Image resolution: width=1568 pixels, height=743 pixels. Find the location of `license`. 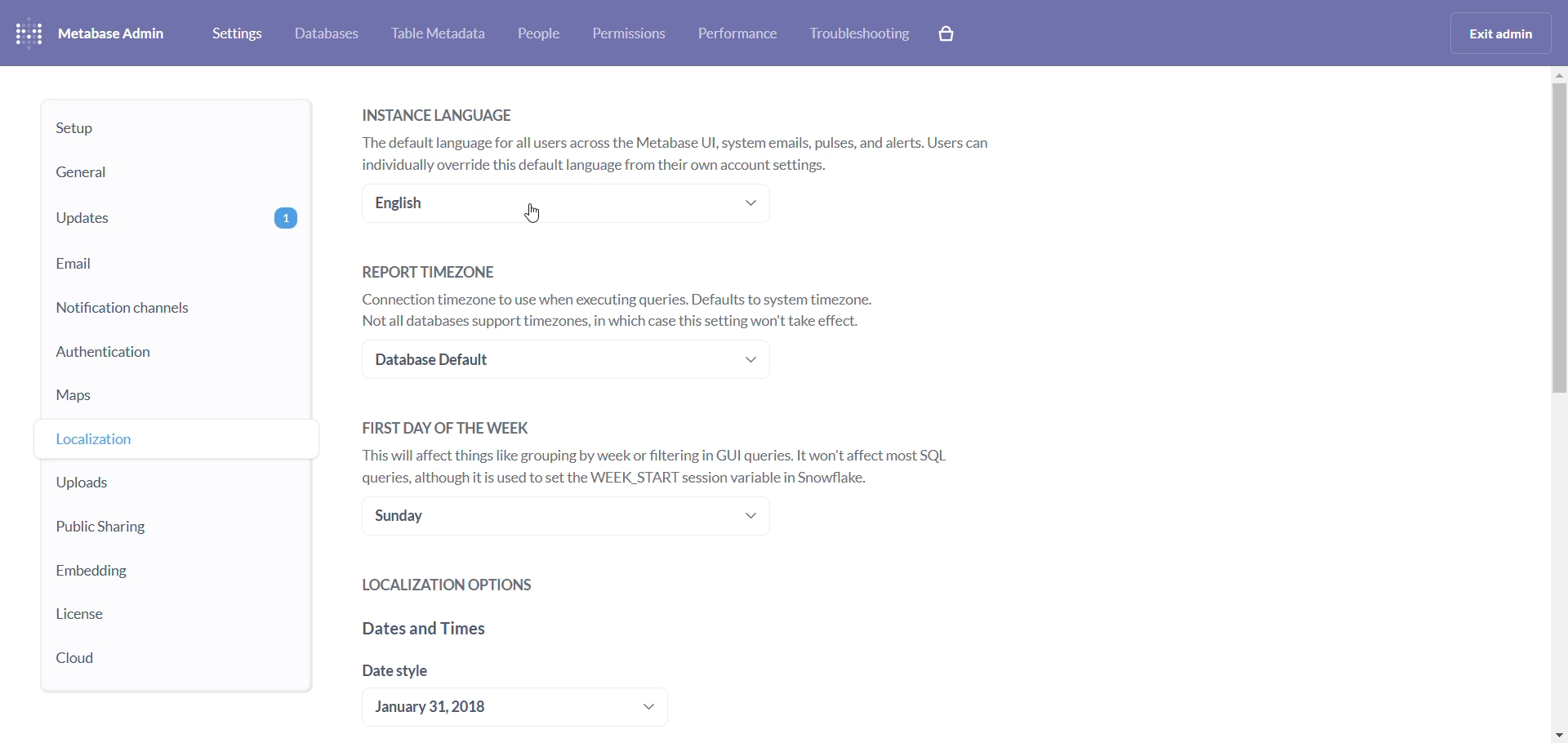

license is located at coordinates (160, 615).